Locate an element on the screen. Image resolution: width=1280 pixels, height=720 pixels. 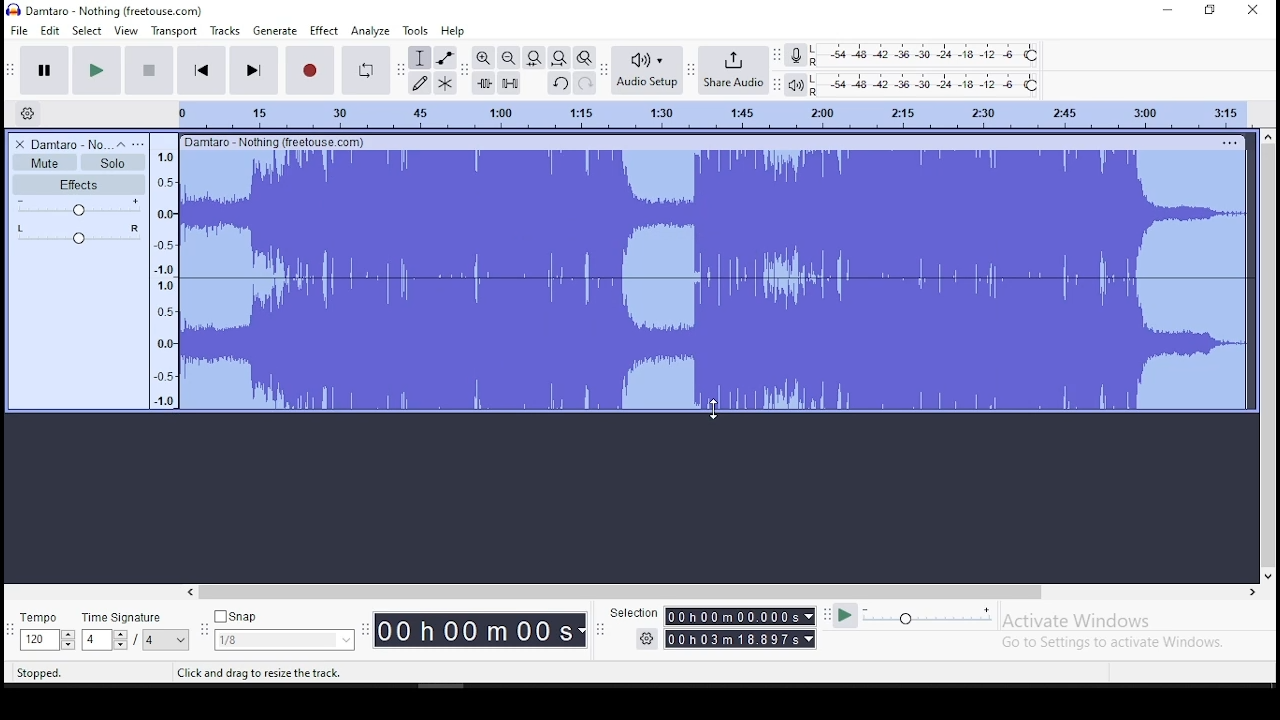
analyze is located at coordinates (370, 32).